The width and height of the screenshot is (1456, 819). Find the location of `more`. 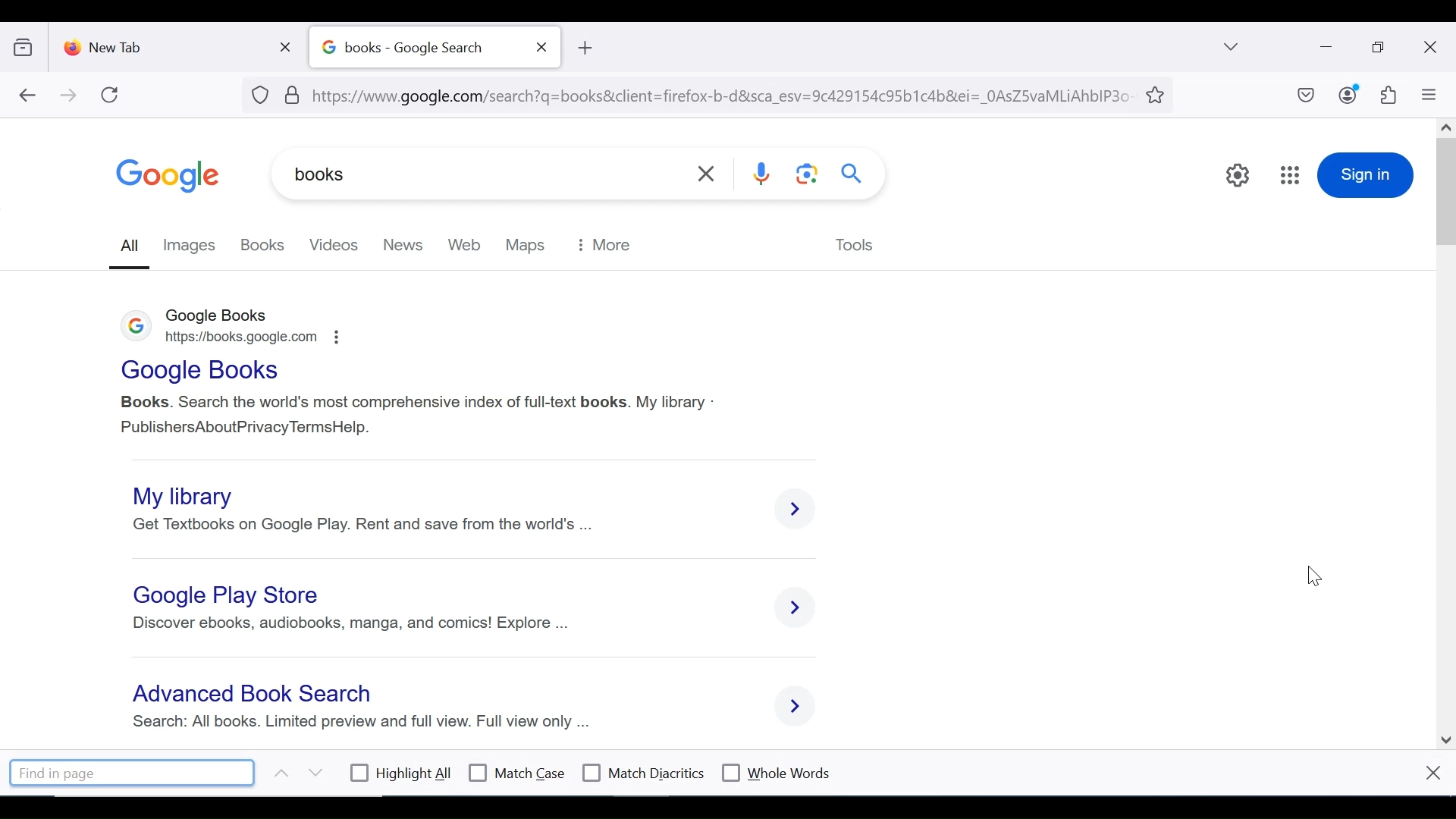

more is located at coordinates (608, 243).